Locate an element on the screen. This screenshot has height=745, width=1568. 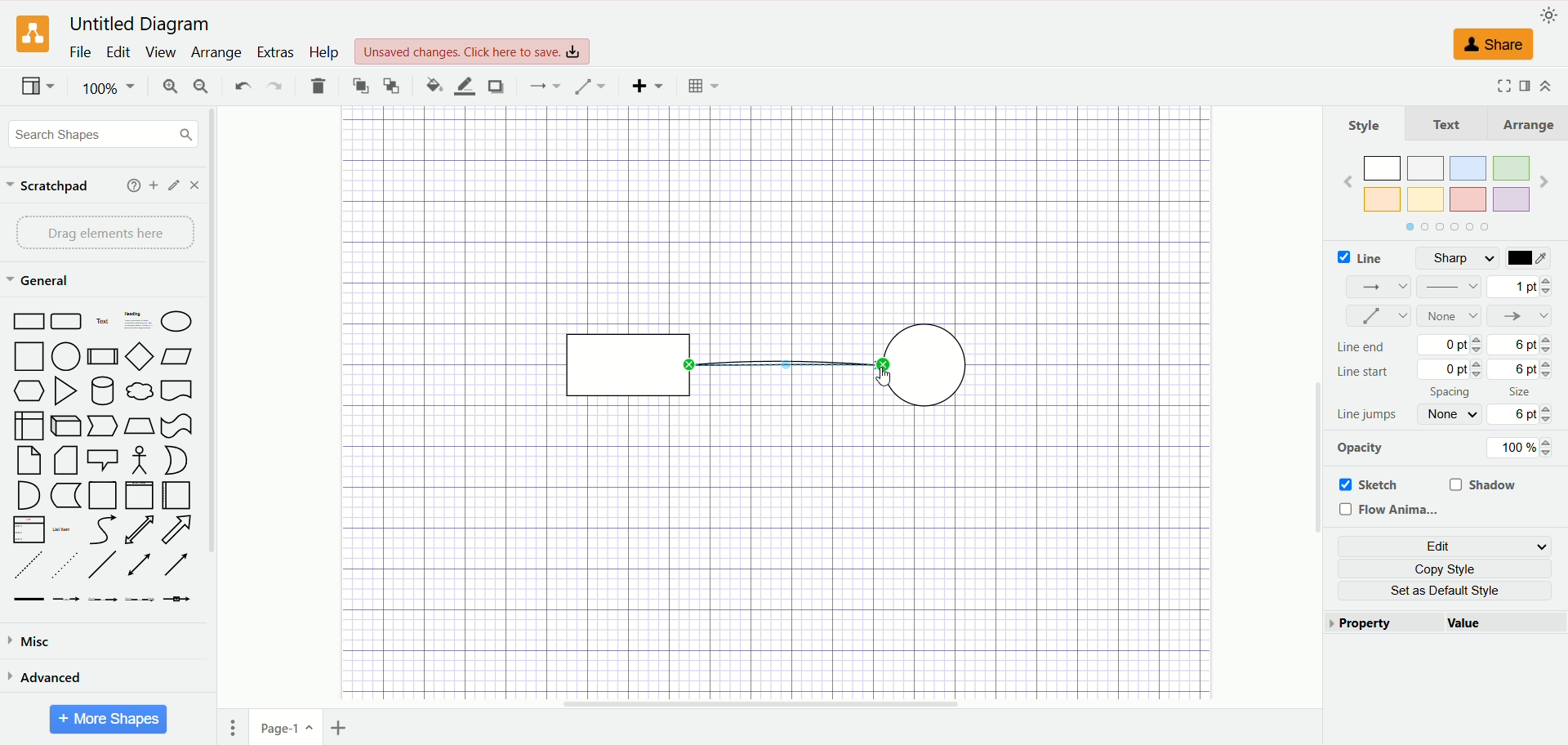
Irregular Flag is located at coordinates (177, 426).